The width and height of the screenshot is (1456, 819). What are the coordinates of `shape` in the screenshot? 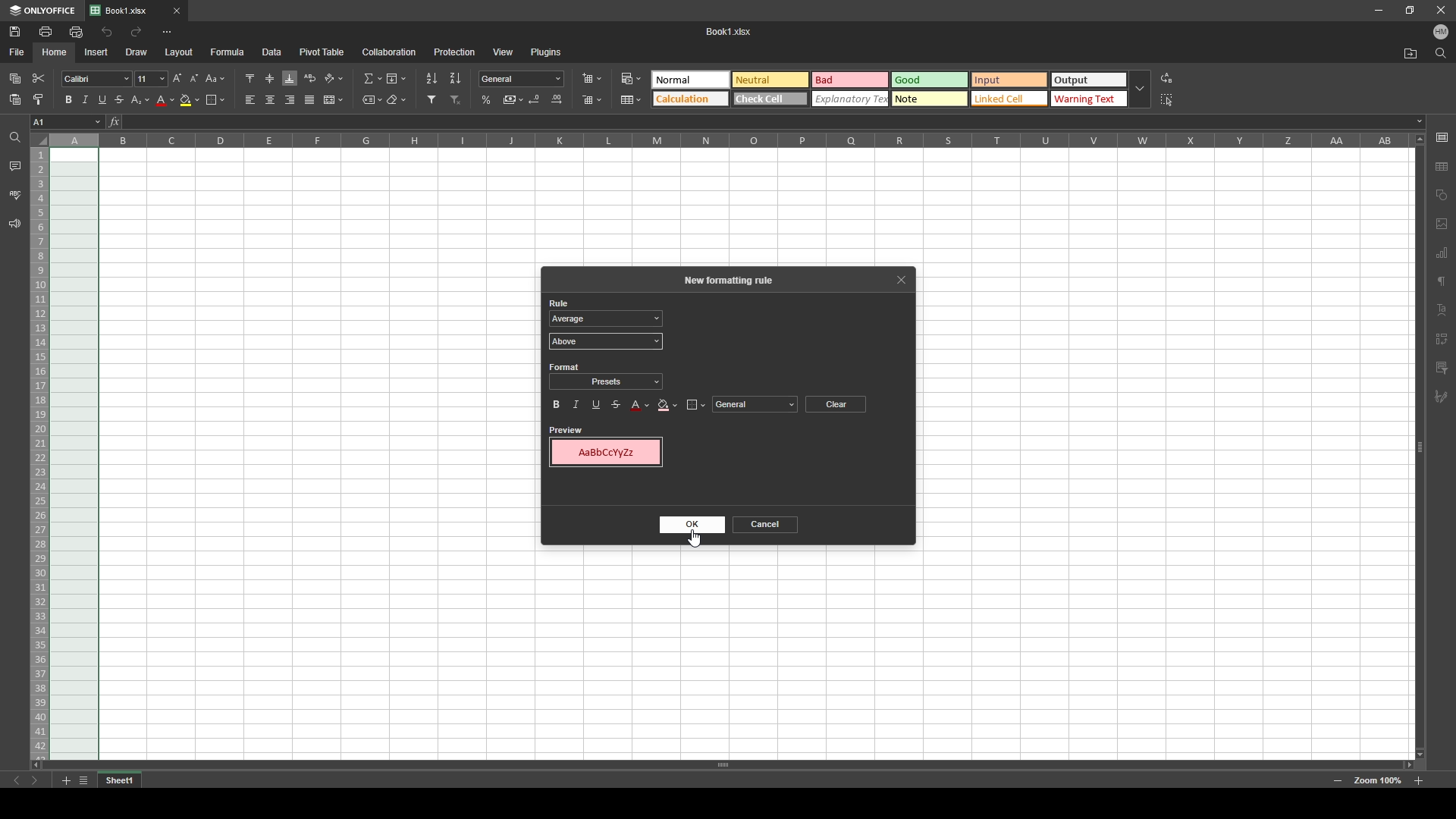 It's located at (1442, 193).